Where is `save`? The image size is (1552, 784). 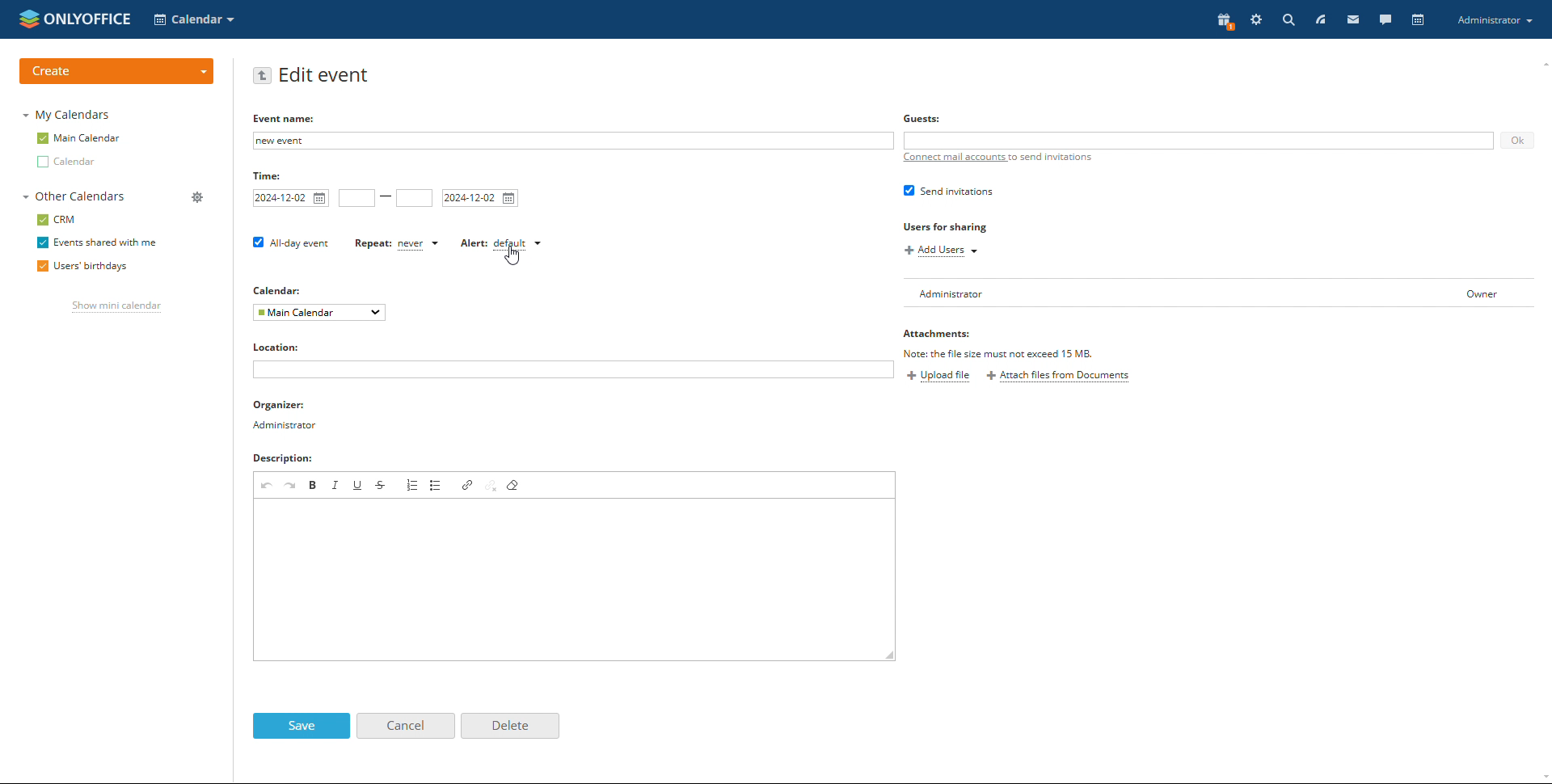
save is located at coordinates (301, 726).